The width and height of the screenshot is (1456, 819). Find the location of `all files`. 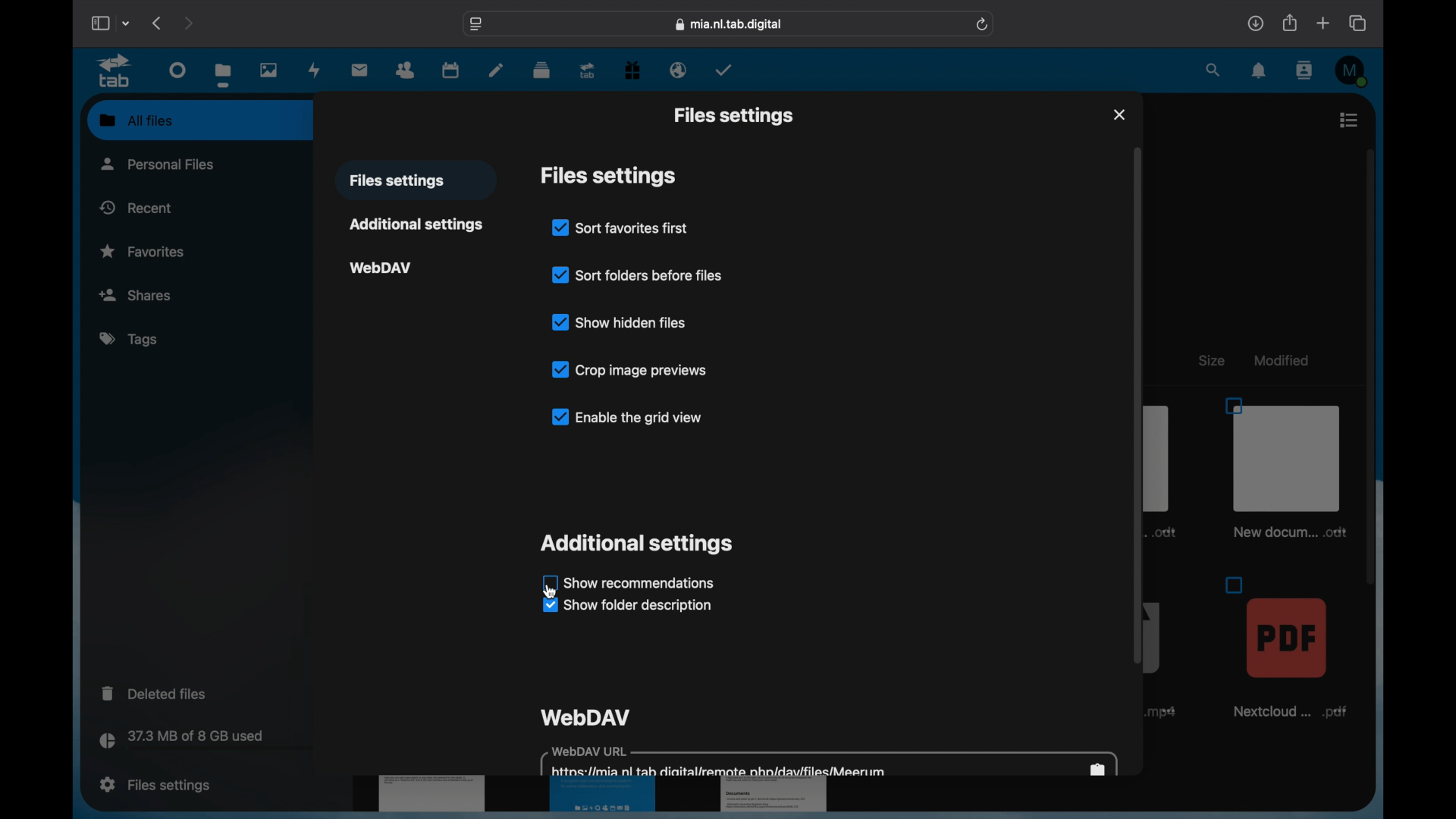

all files is located at coordinates (136, 120).